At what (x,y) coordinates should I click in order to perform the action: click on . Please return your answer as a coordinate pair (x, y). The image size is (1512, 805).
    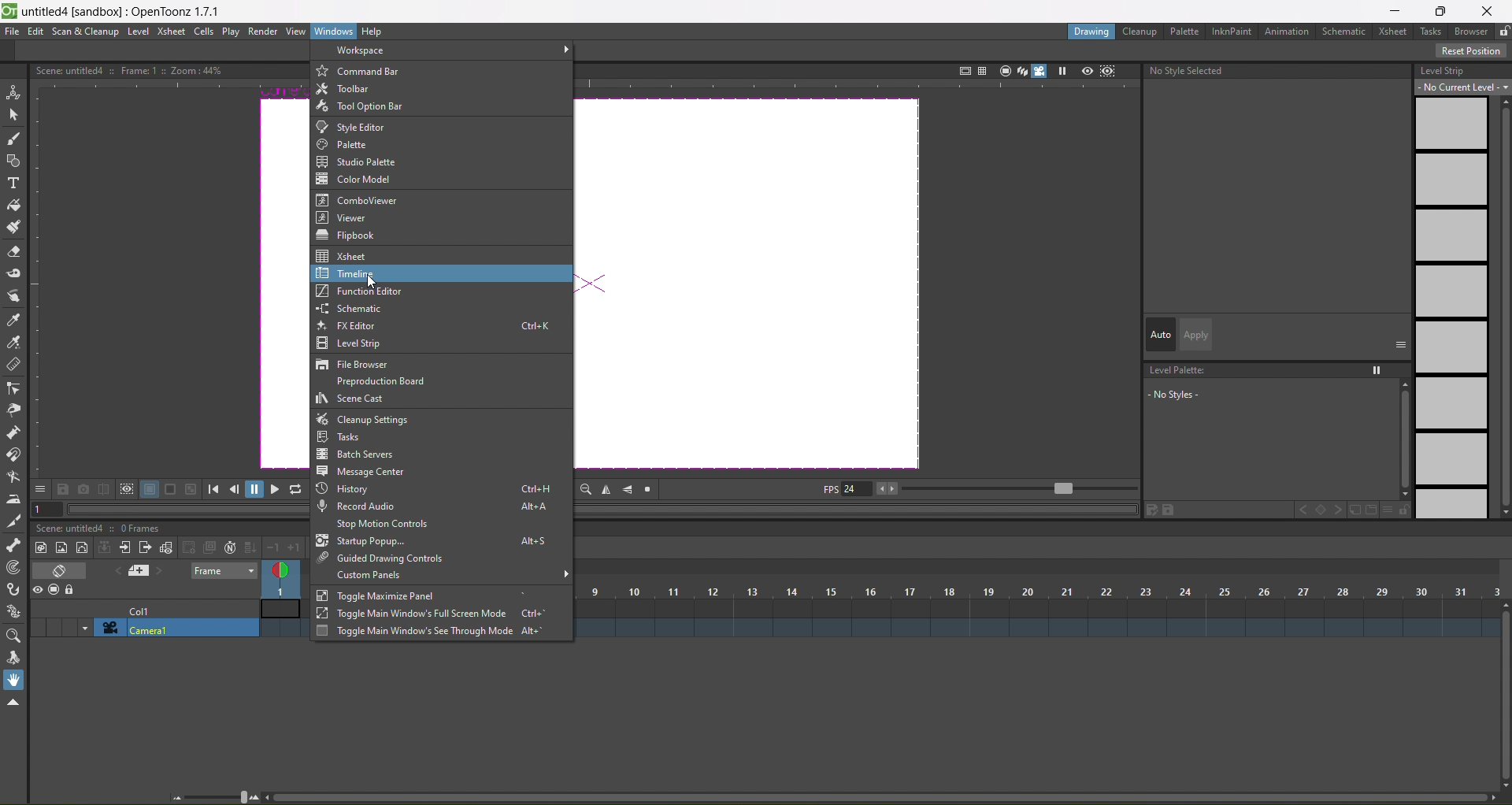
    Looking at the image, I should click on (14, 658).